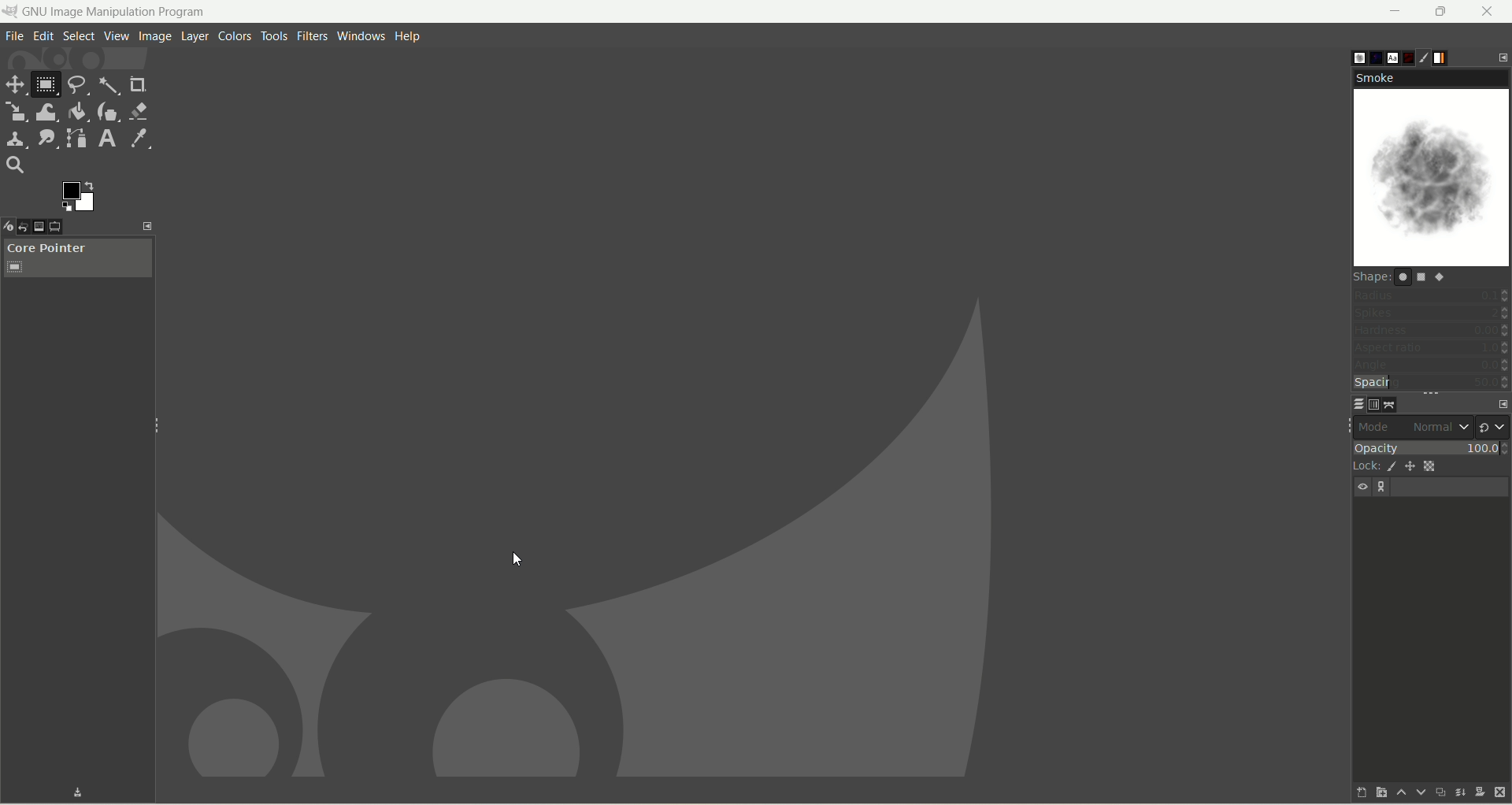 Image resolution: width=1512 pixels, height=805 pixels. I want to click on fuzzy select tool, so click(109, 85).